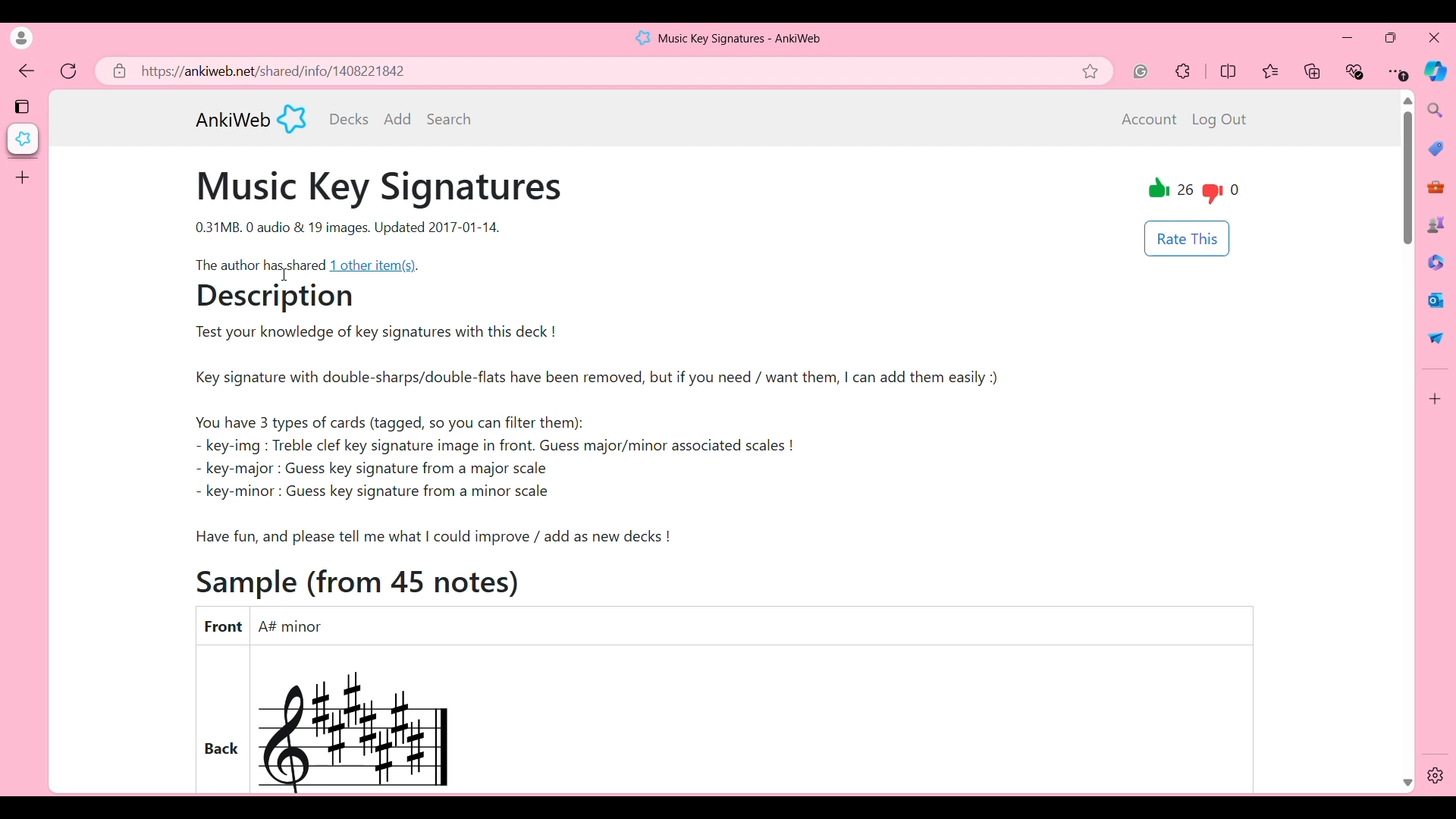 This screenshot has height=819, width=1456. I want to click on Cursor, so click(283, 274).